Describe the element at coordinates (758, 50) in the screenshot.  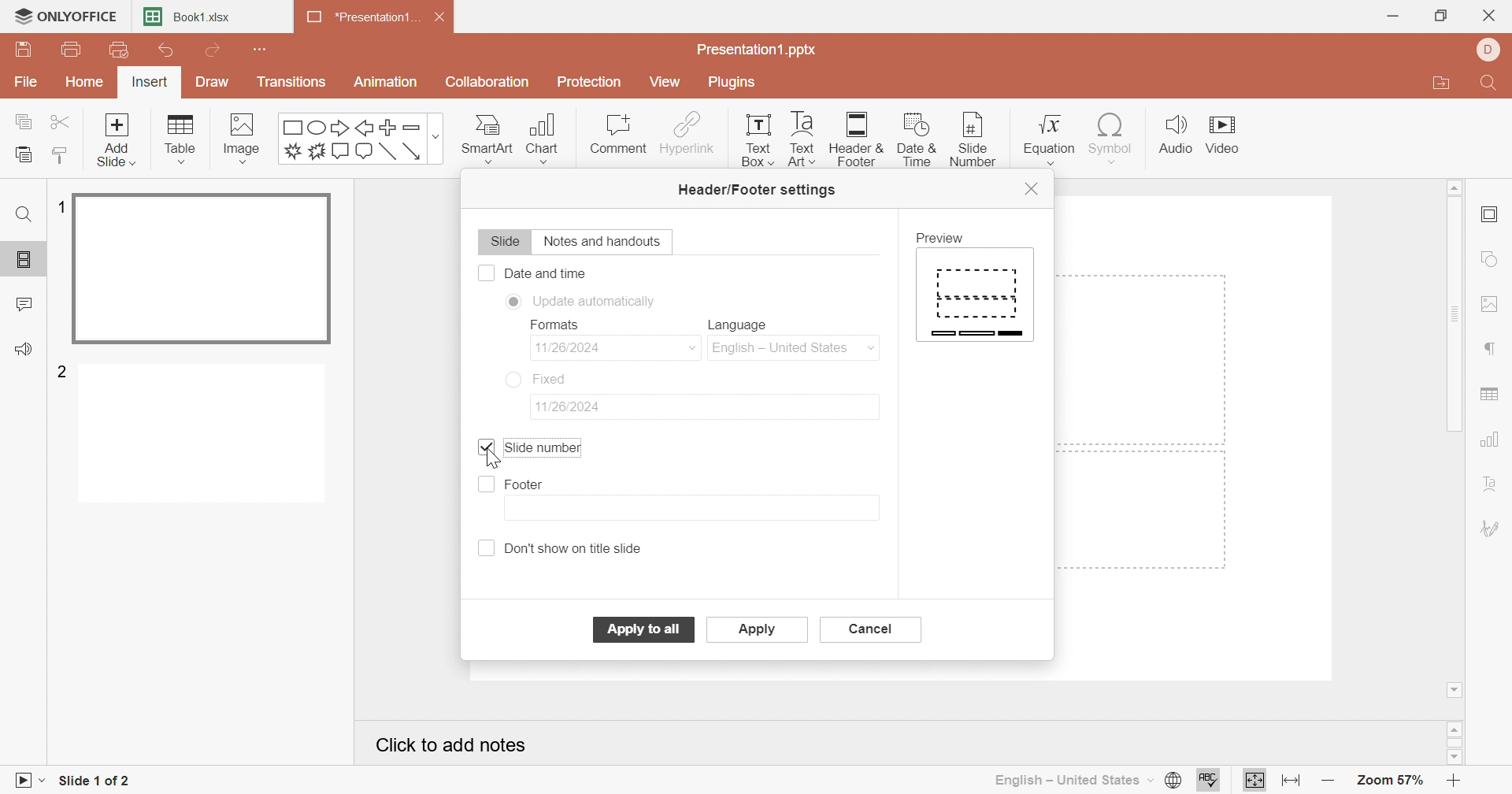
I see `Presentation1.pptx` at that location.